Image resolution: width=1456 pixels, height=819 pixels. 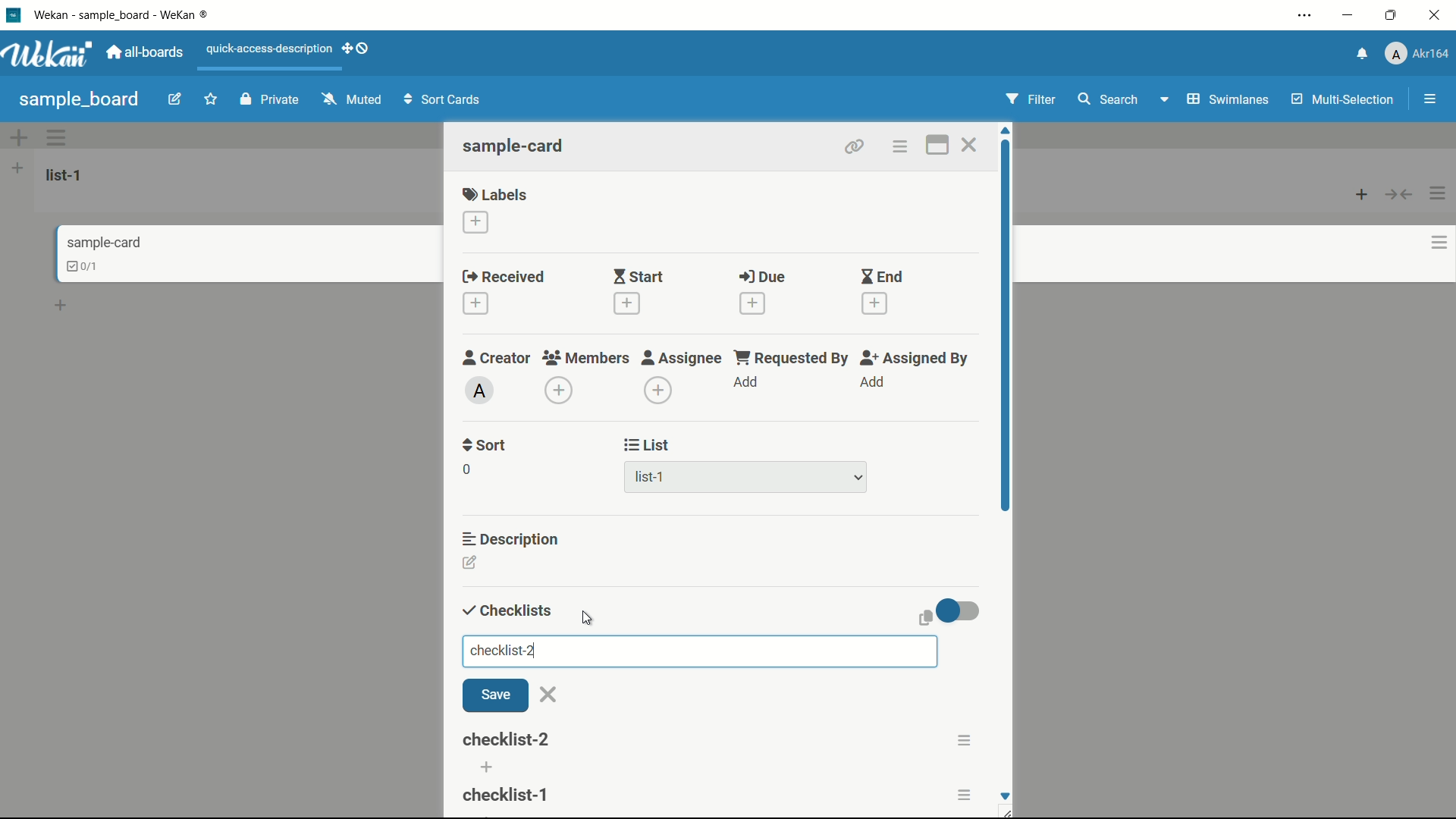 I want to click on add swimlane, so click(x=17, y=137).